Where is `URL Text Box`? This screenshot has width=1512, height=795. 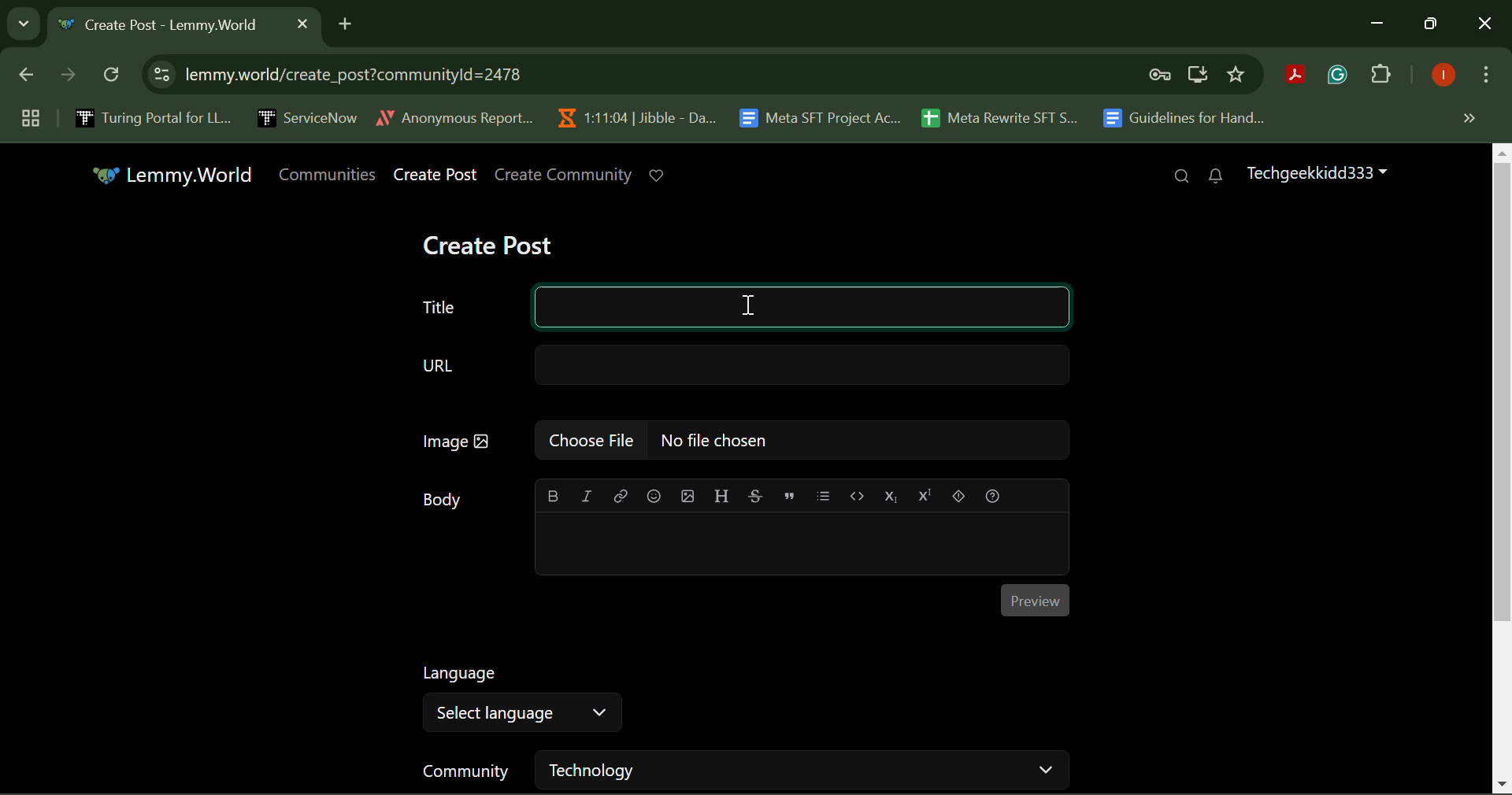 URL Text Box is located at coordinates (747, 364).